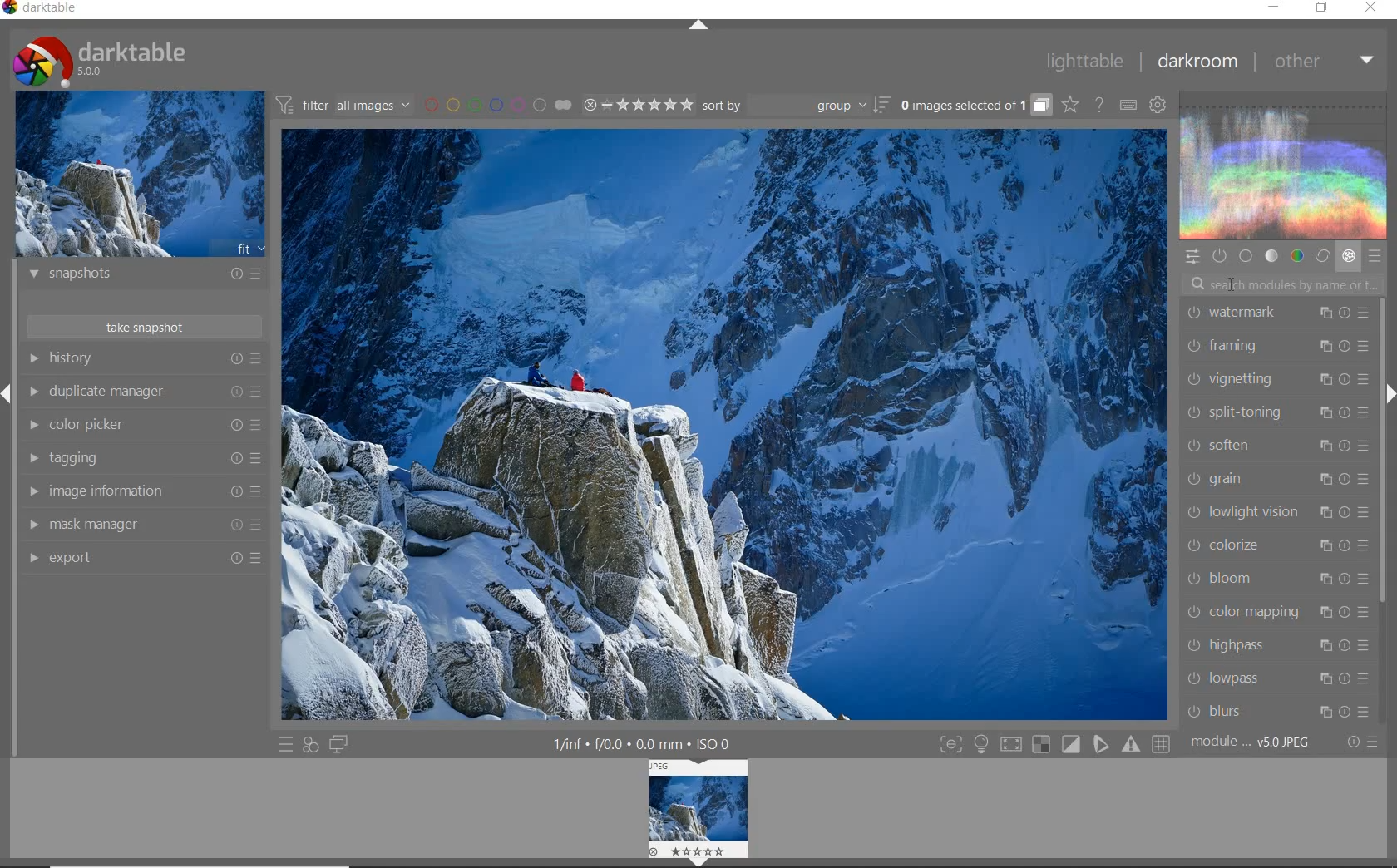 The height and width of the screenshot is (868, 1397). What do you see at coordinates (1383, 448) in the screenshot?
I see `scrollbar` at bounding box center [1383, 448].